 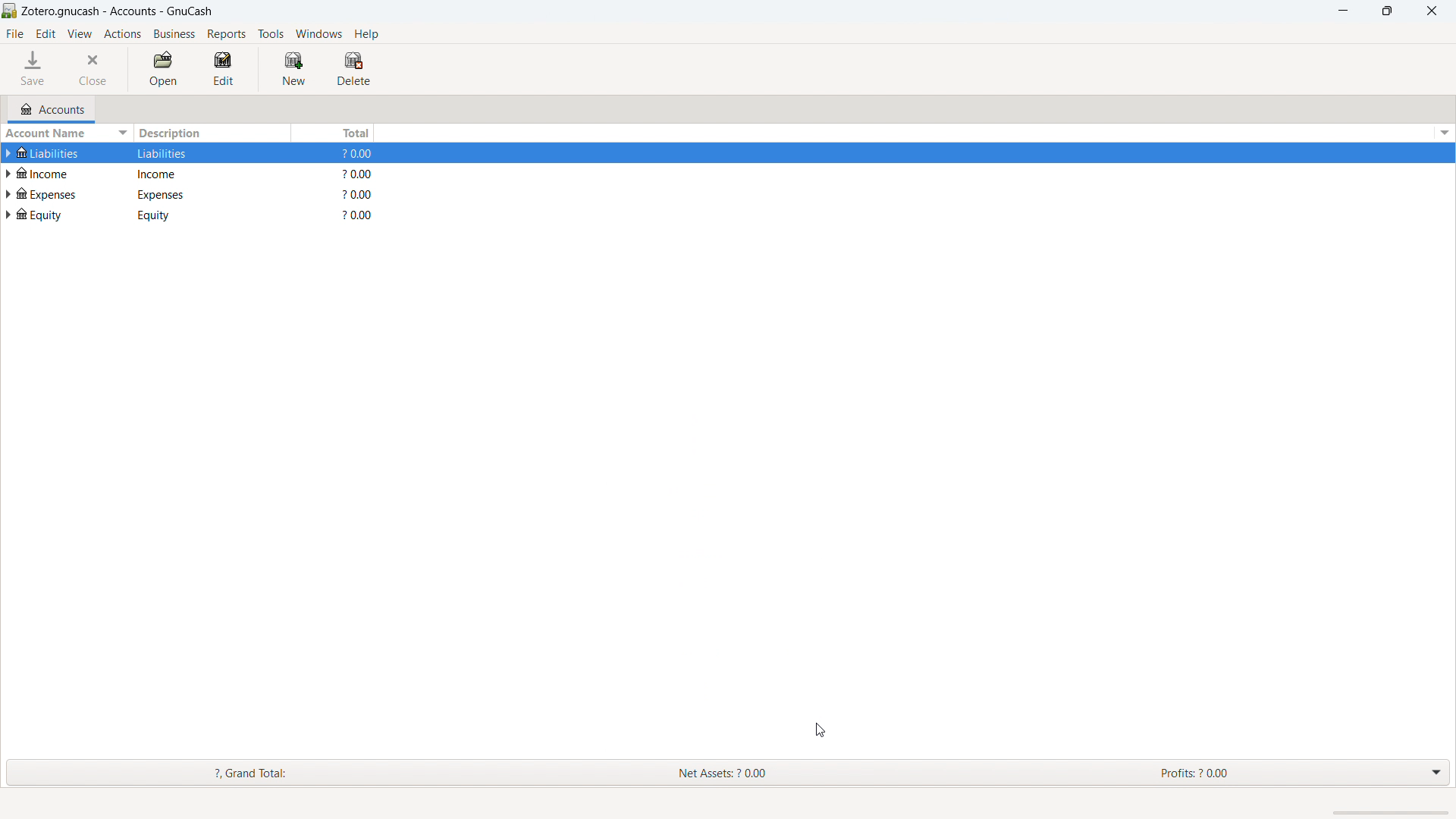 What do you see at coordinates (123, 35) in the screenshot?
I see `actions` at bounding box center [123, 35].